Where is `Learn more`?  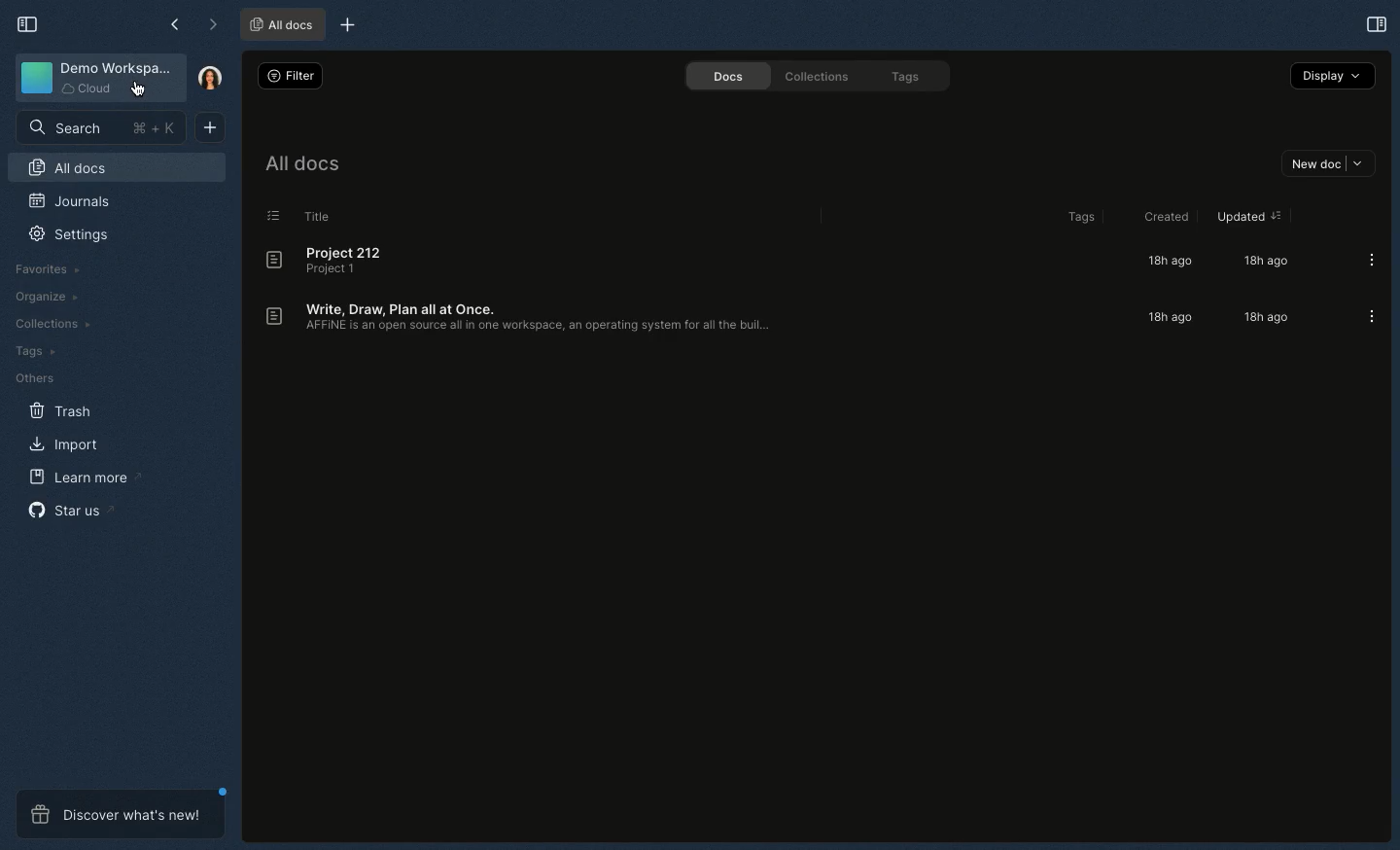 Learn more is located at coordinates (80, 477).